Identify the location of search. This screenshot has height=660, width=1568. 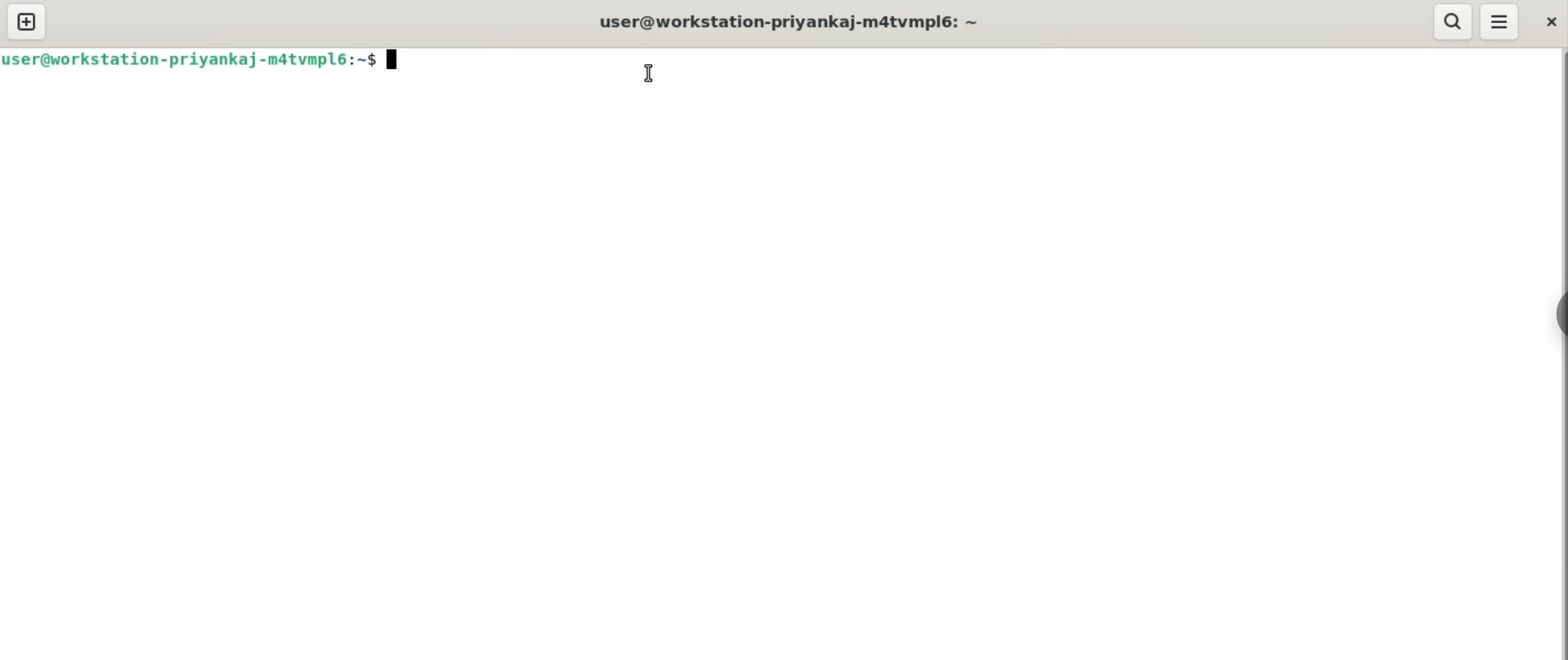
(1450, 21).